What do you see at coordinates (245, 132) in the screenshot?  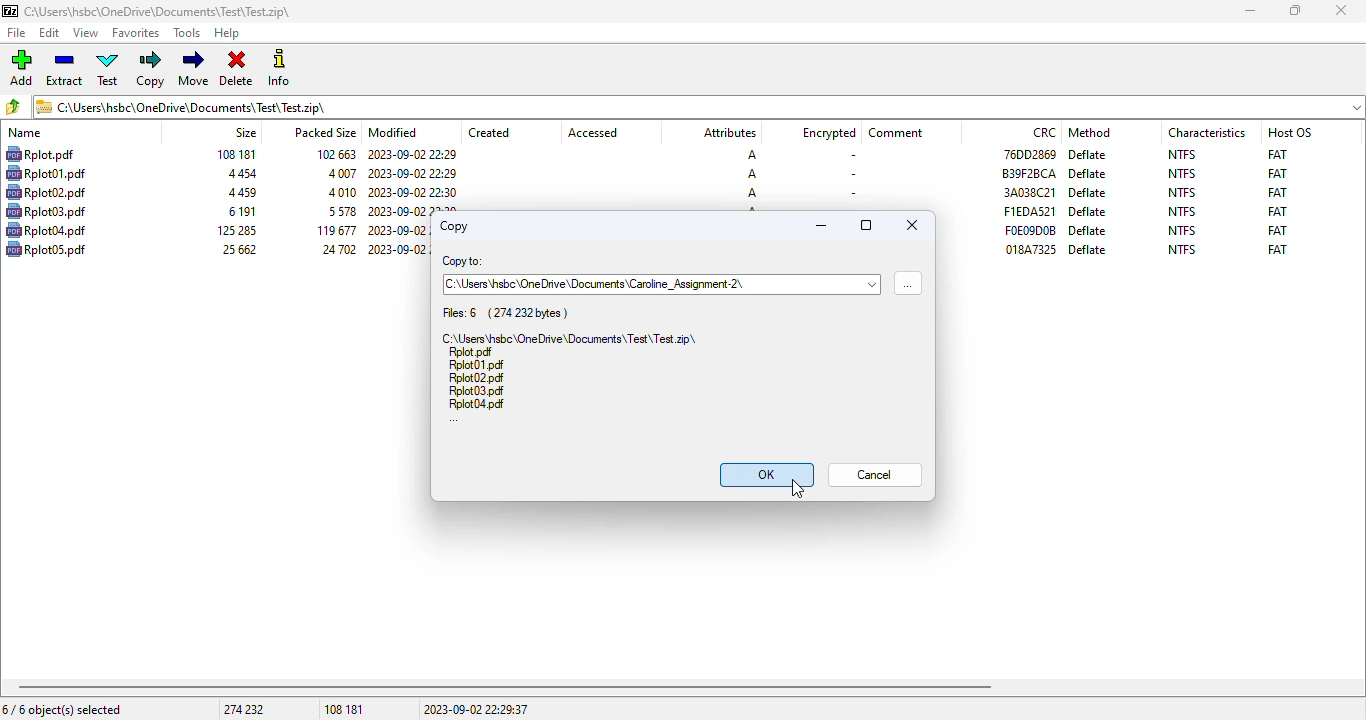 I see `size` at bounding box center [245, 132].